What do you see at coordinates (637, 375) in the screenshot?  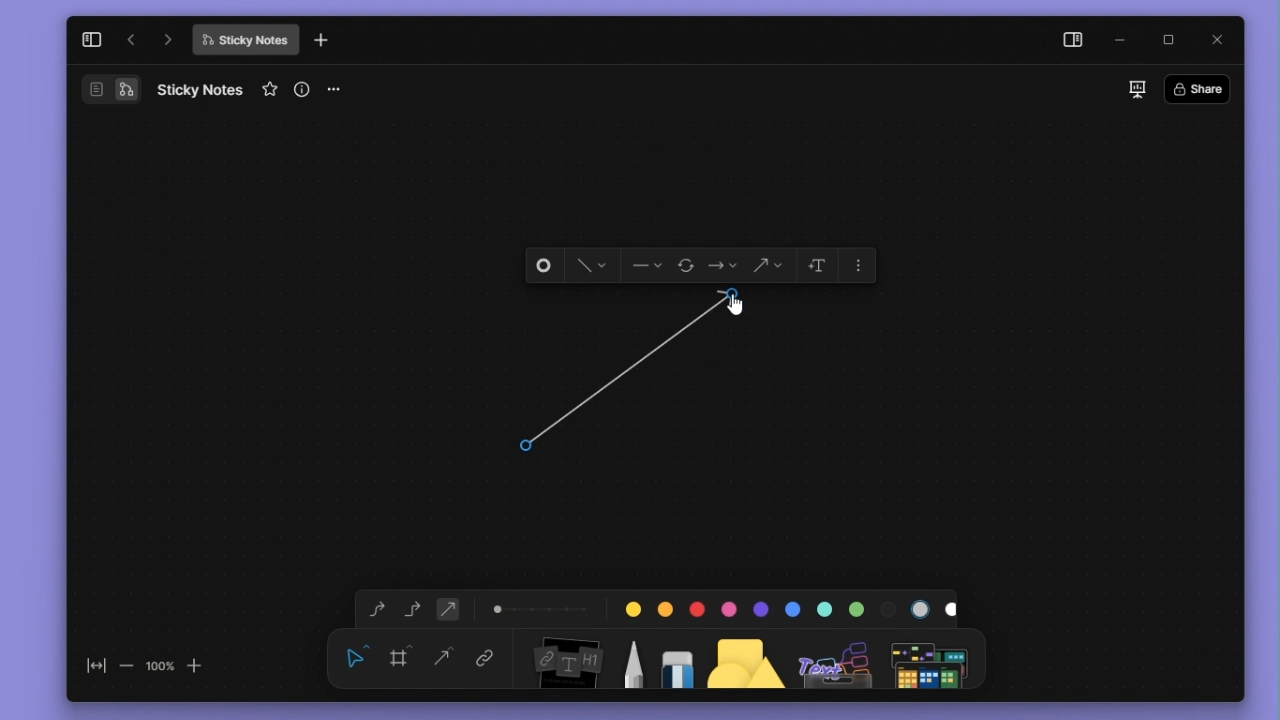 I see `arrow` at bounding box center [637, 375].